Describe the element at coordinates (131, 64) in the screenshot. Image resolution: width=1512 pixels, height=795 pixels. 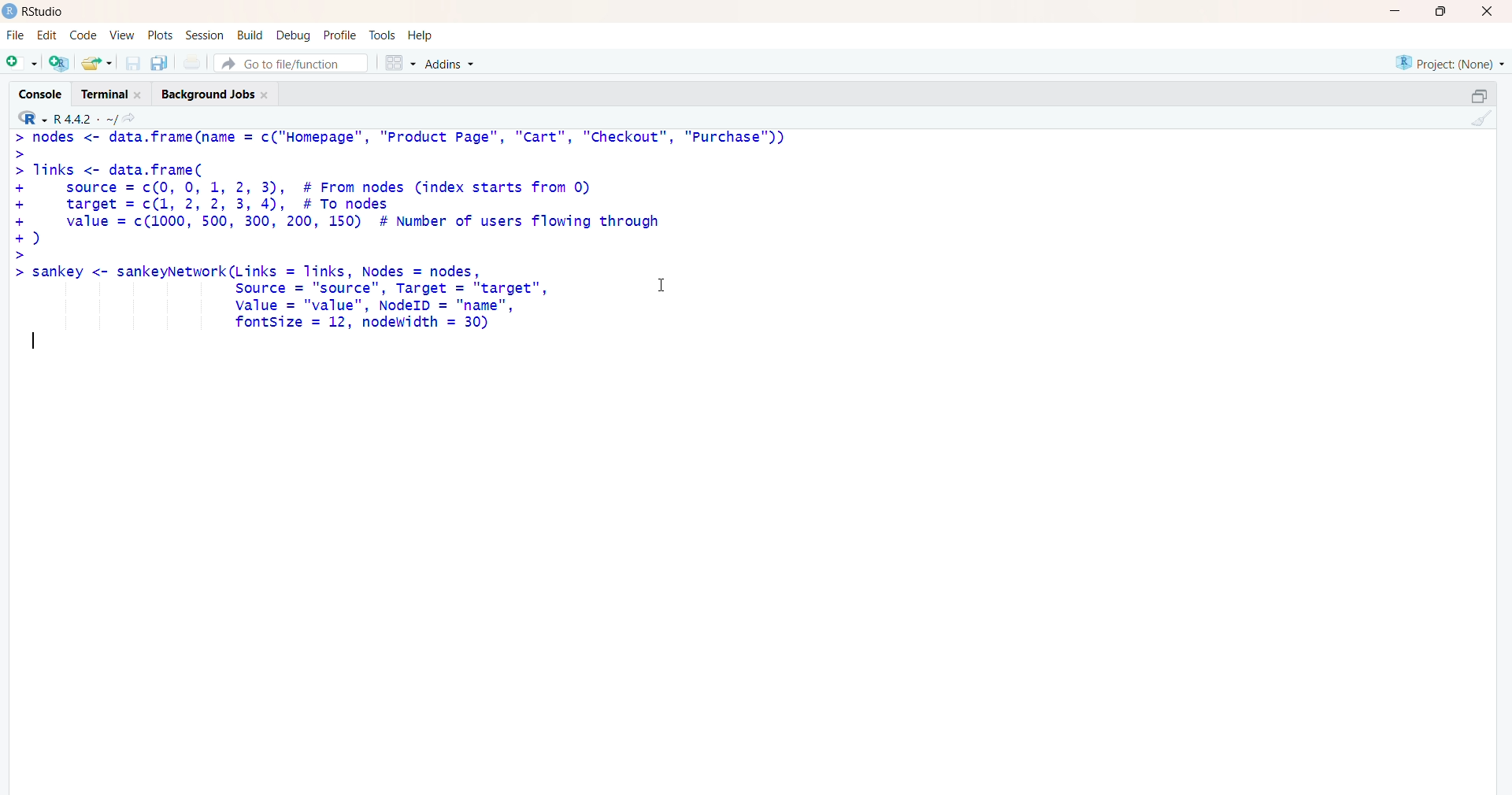
I see `save` at that location.